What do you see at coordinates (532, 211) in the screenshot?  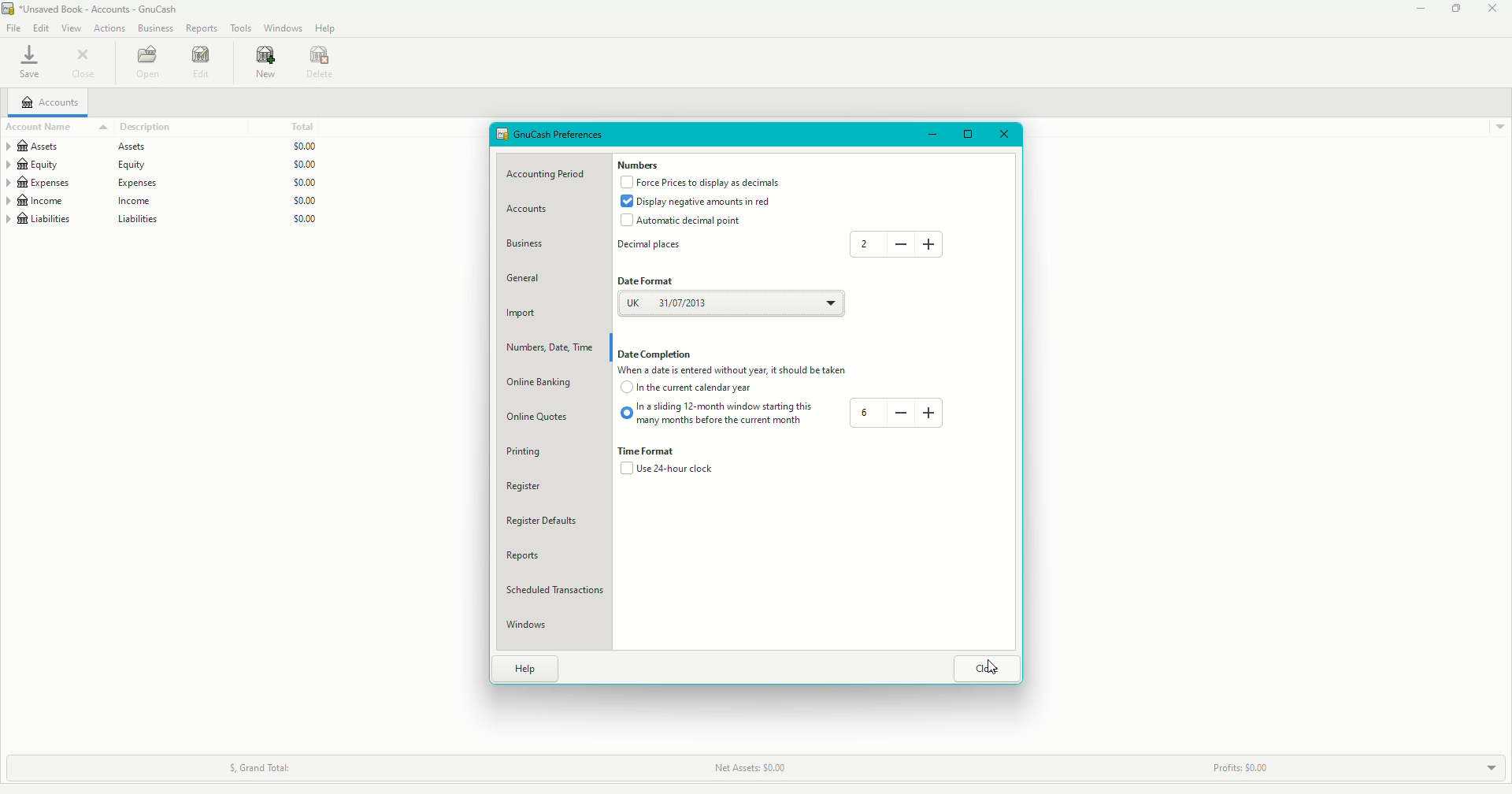 I see `Accounts` at bounding box center [532, 211].